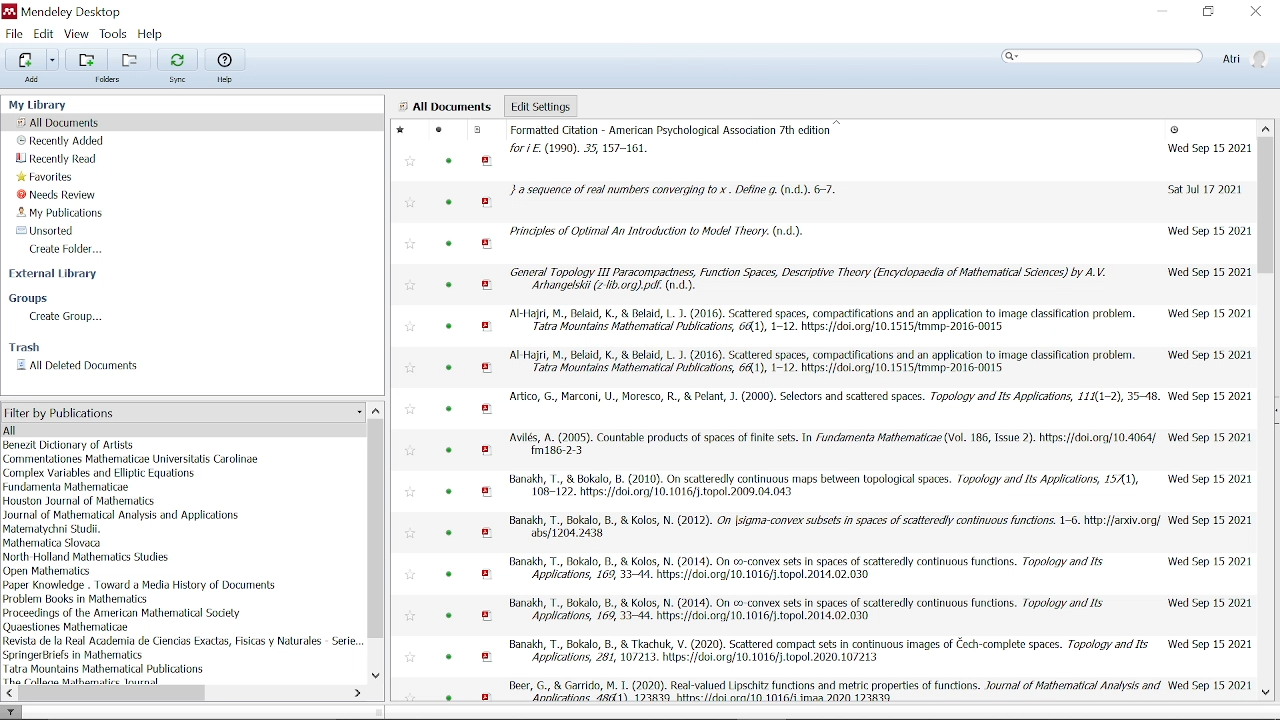 Image resolution: width=1280 pixels, height=720 pixels. What do you see at coordinates (488, 451) in the screenshot?
I see `pdf` at bounding box center [488, 451].